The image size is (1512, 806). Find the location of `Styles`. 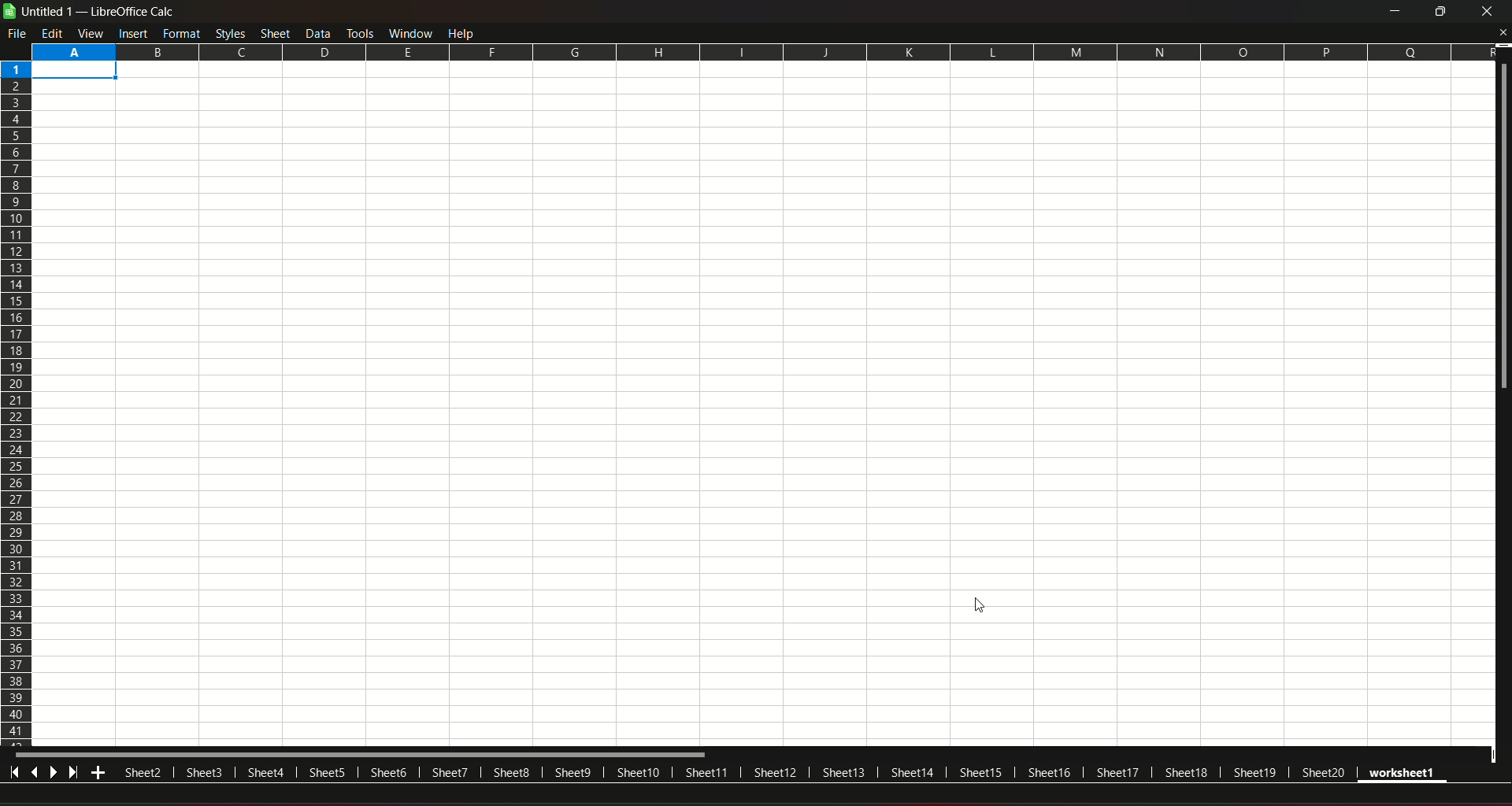

Styles is located at coordinates (230, 33).